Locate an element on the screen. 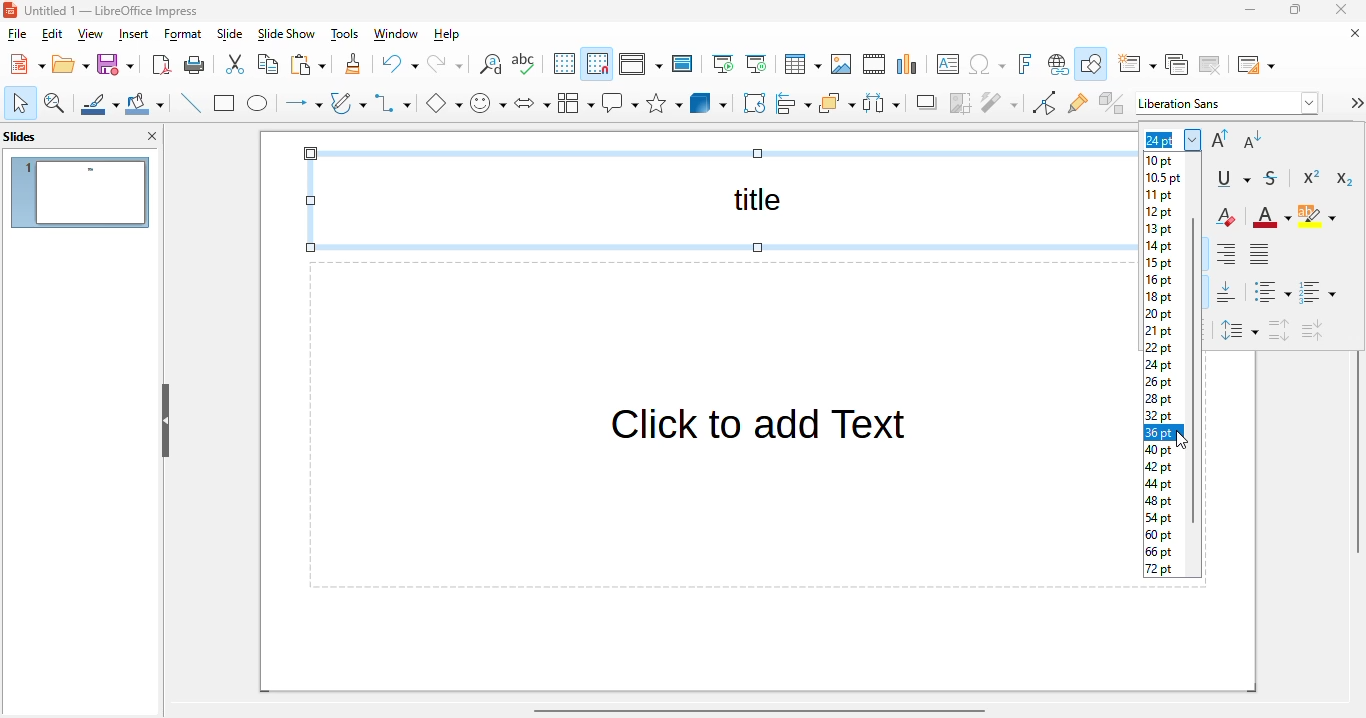  toggle extrusion is located at coordinates (1112, 102).